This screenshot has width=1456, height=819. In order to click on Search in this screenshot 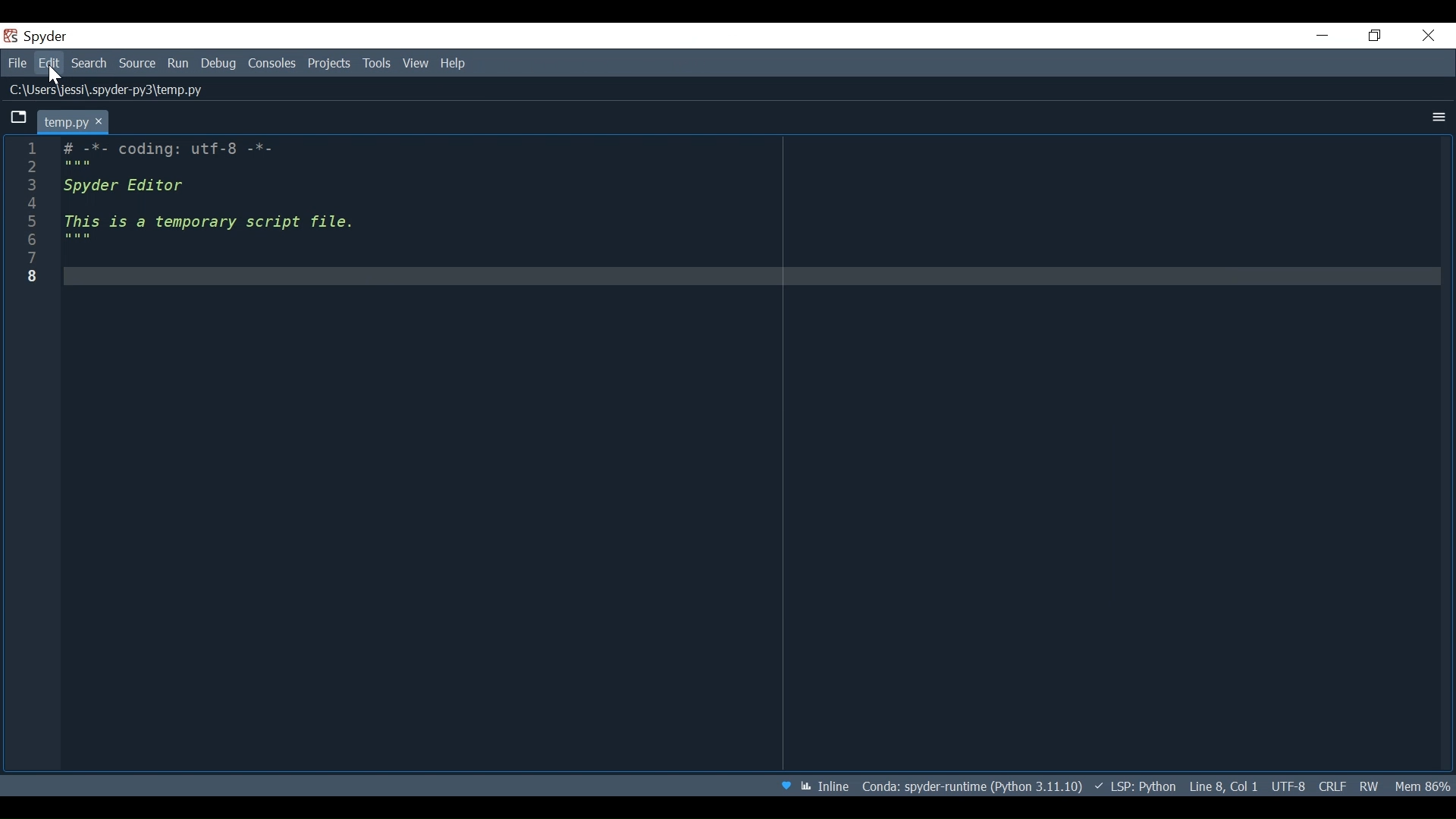, I will do `click(89, 64)`.